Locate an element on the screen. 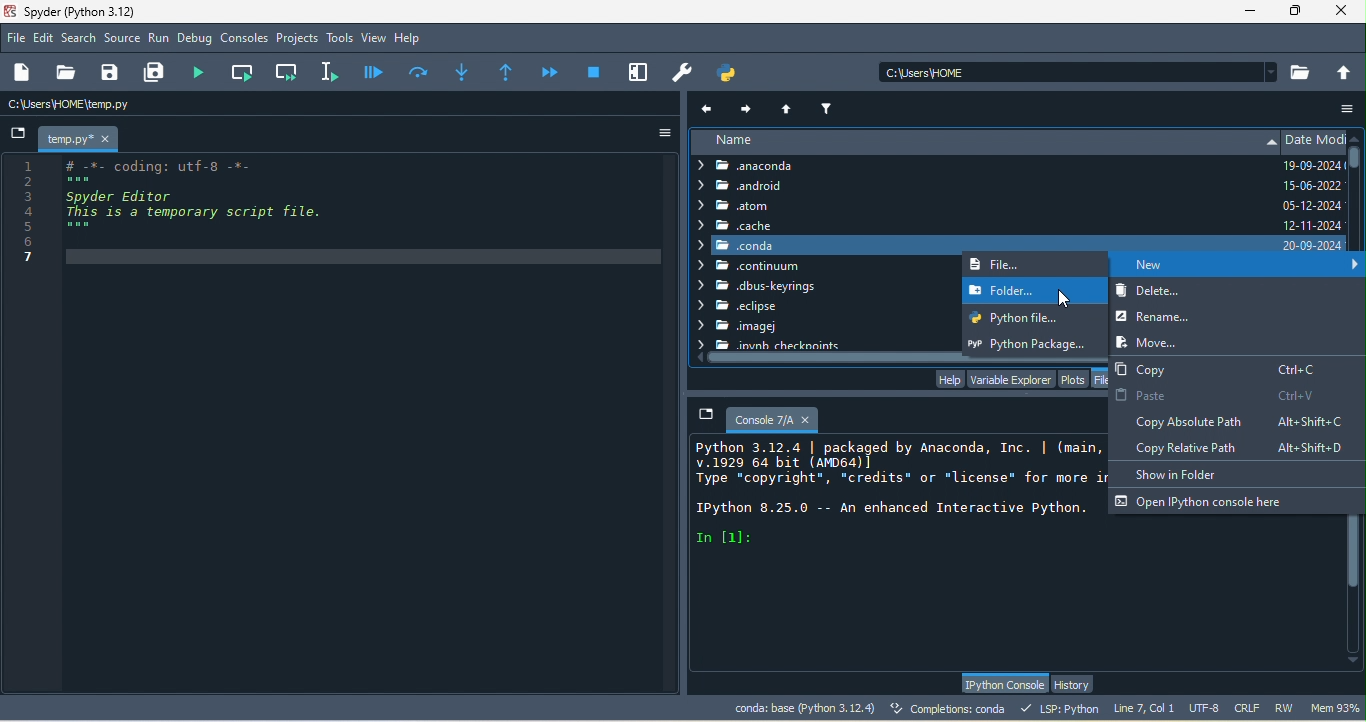 Image resolution: width=1366 pixels, height=722 pixels. continuum is located at coordinates (752, 266).